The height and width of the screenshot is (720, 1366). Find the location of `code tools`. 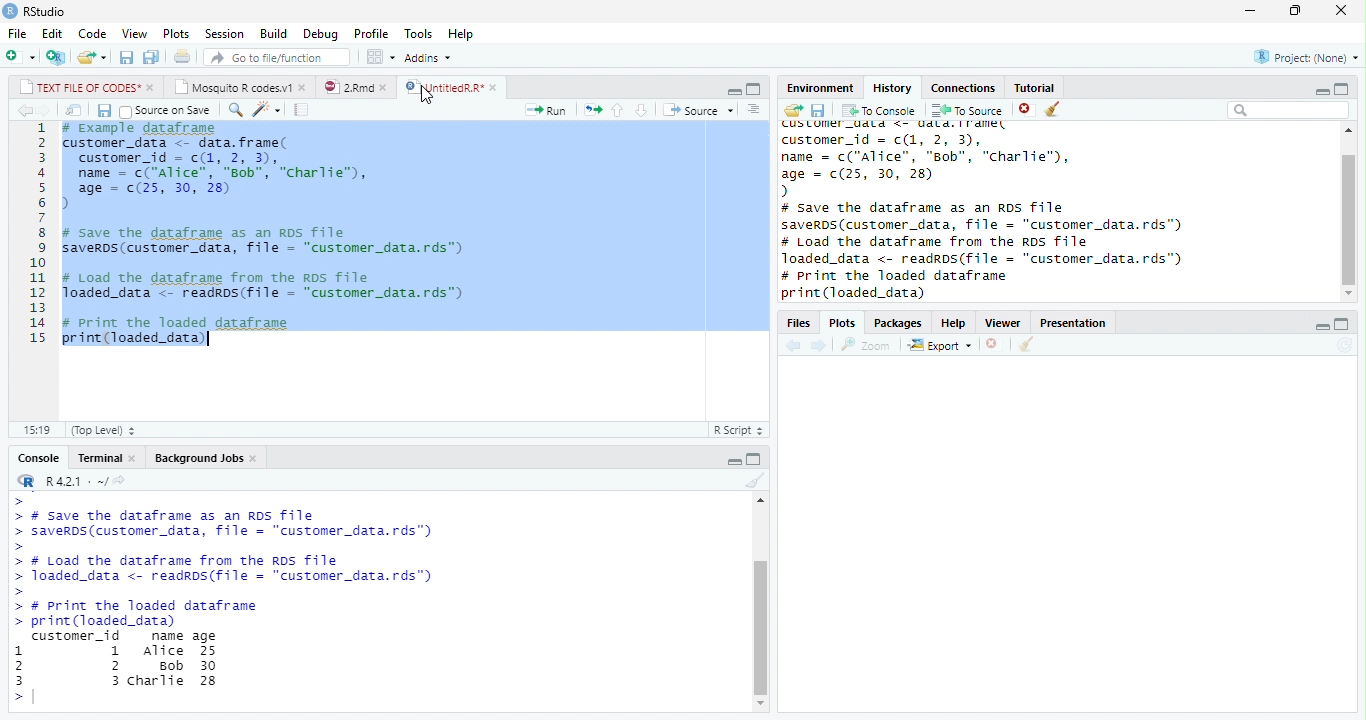

code tools is located at coordinates (267, 110).